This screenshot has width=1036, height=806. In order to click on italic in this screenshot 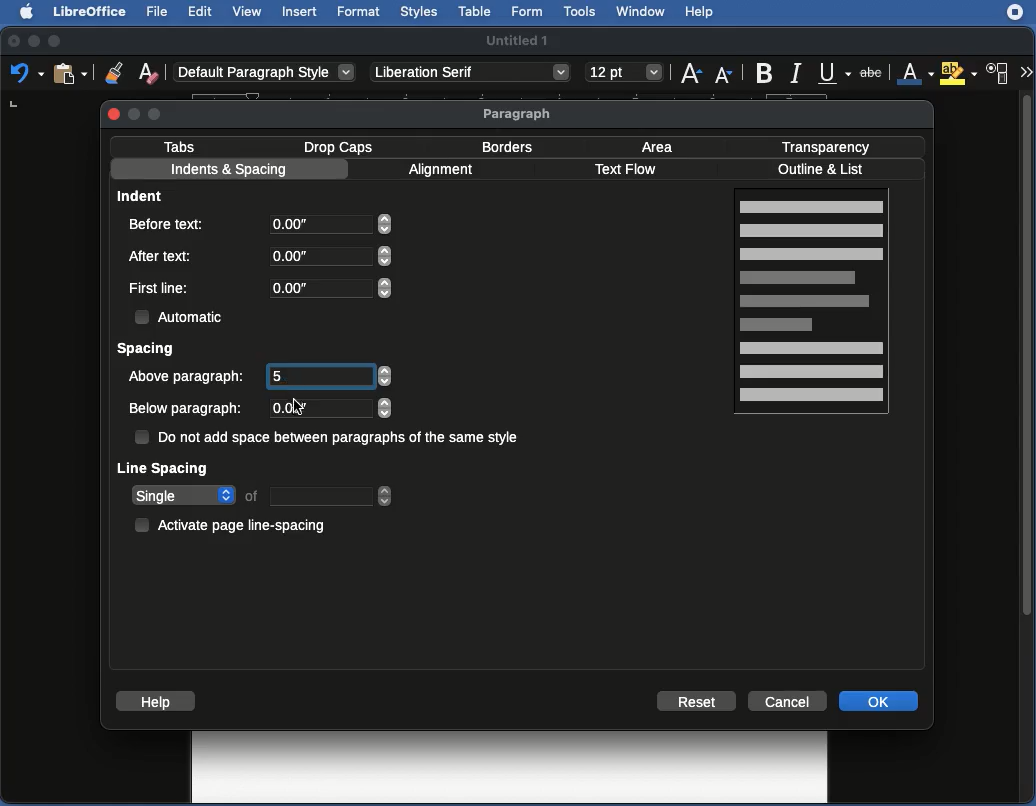, I will do `click(795, 71)`.